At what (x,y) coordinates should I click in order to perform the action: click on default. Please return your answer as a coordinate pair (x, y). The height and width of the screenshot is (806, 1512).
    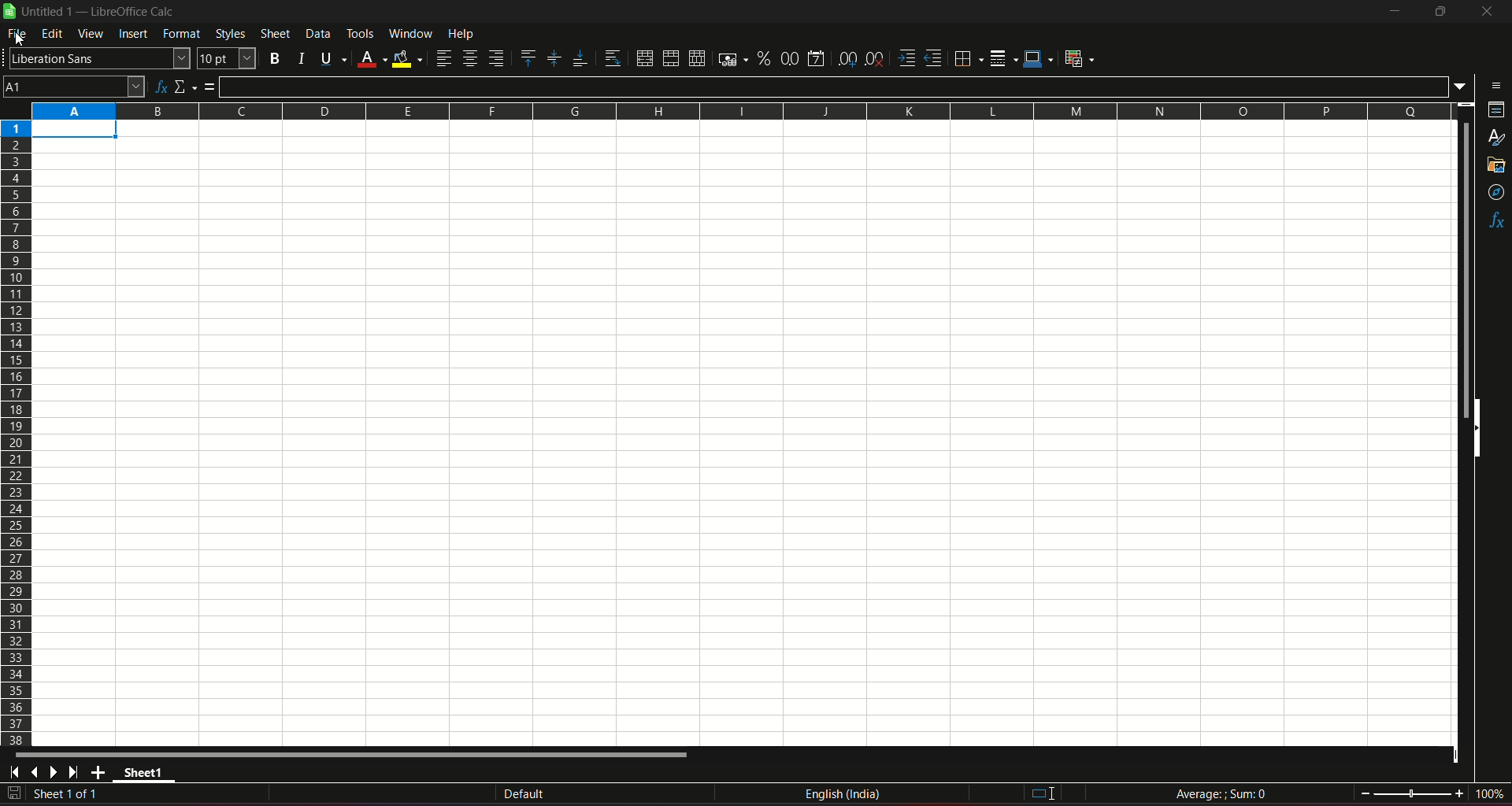
    Looking at the image, I should click on (524, 793).